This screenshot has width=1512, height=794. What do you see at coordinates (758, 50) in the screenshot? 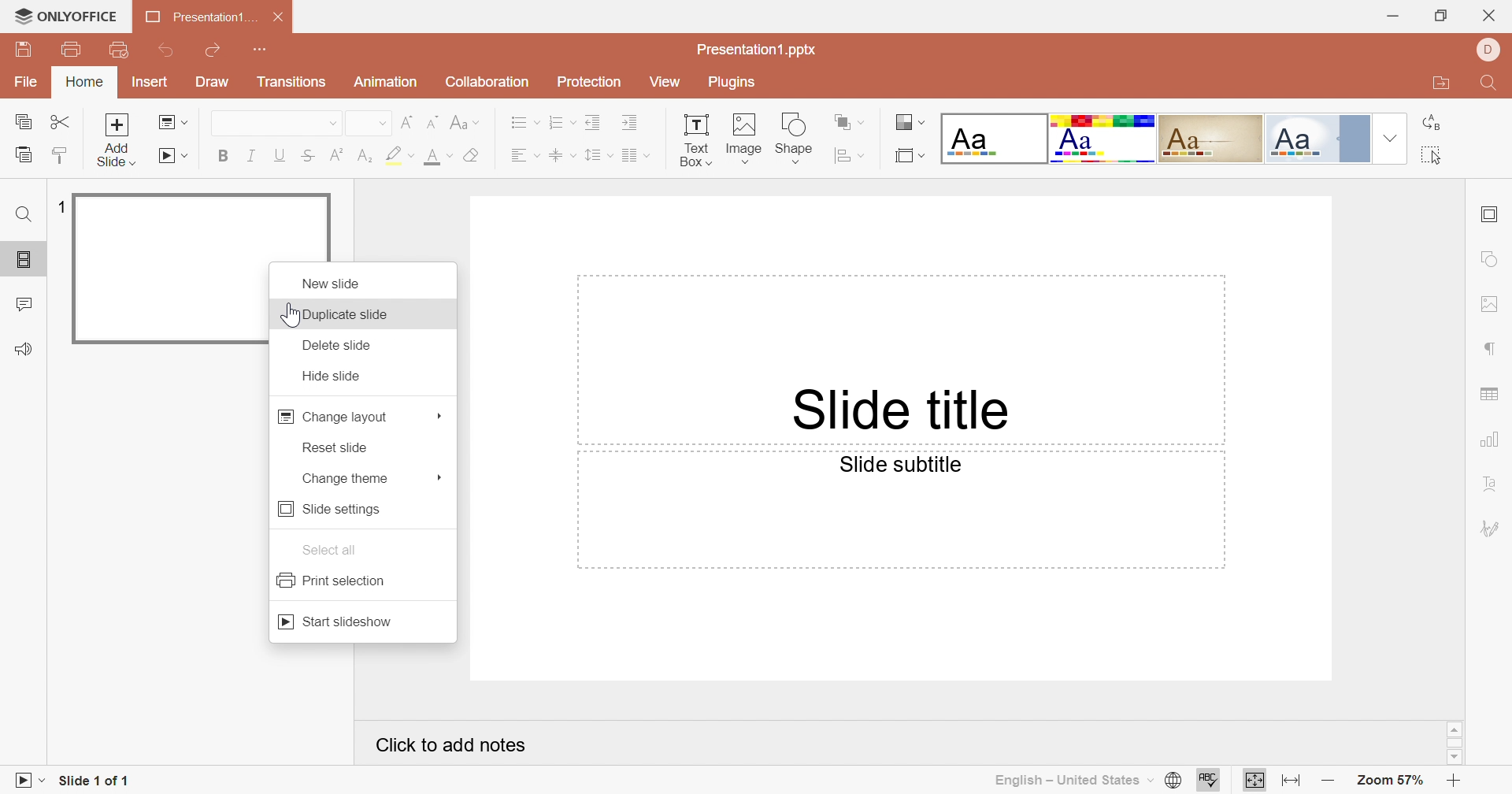
I see `Presentation1.pptx` at bounding box center [758, 50].